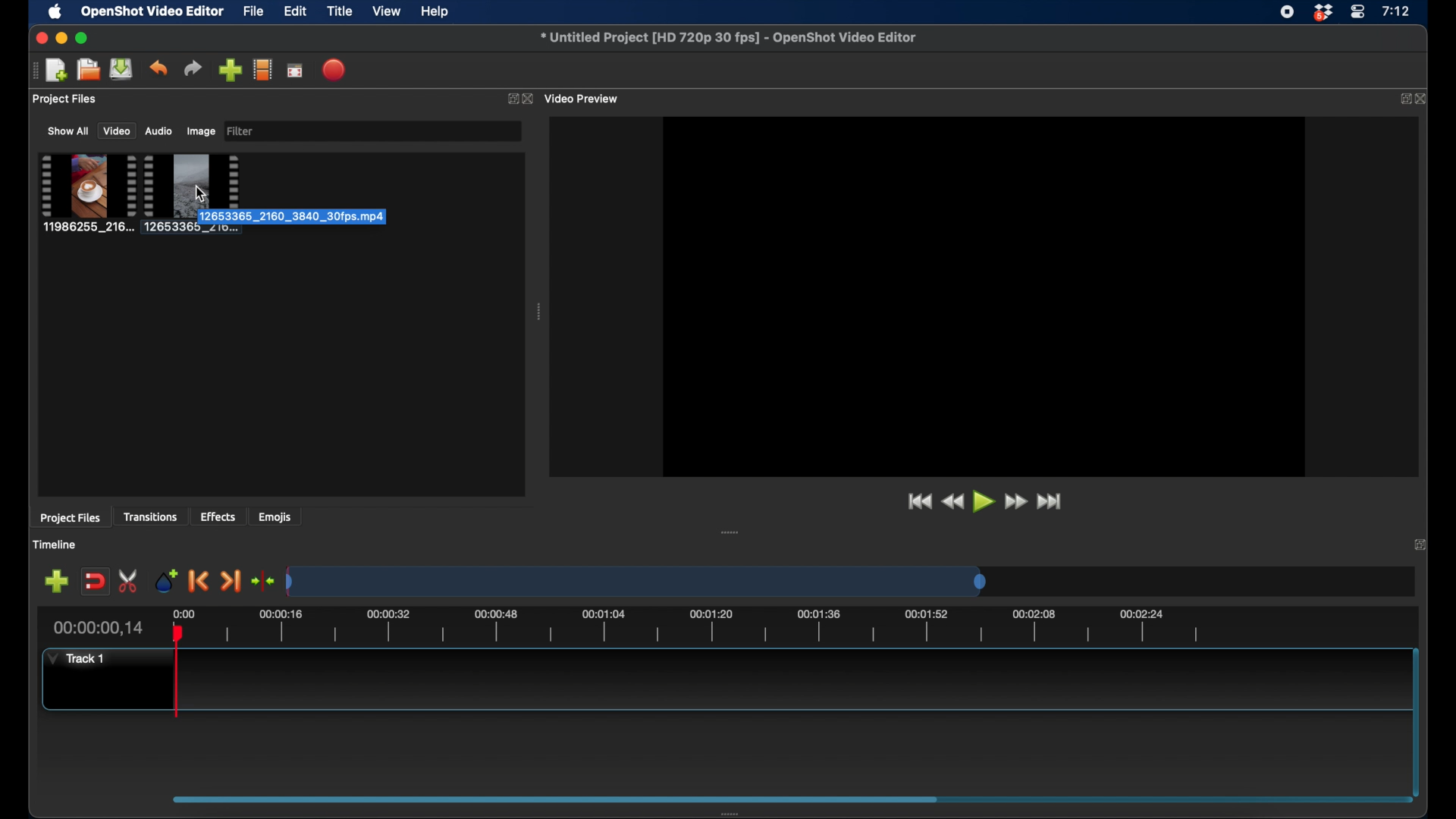  What do you see at coordinates (61, 39) in the screenshot?
I see `minimize` at bounding box center [61, 39].